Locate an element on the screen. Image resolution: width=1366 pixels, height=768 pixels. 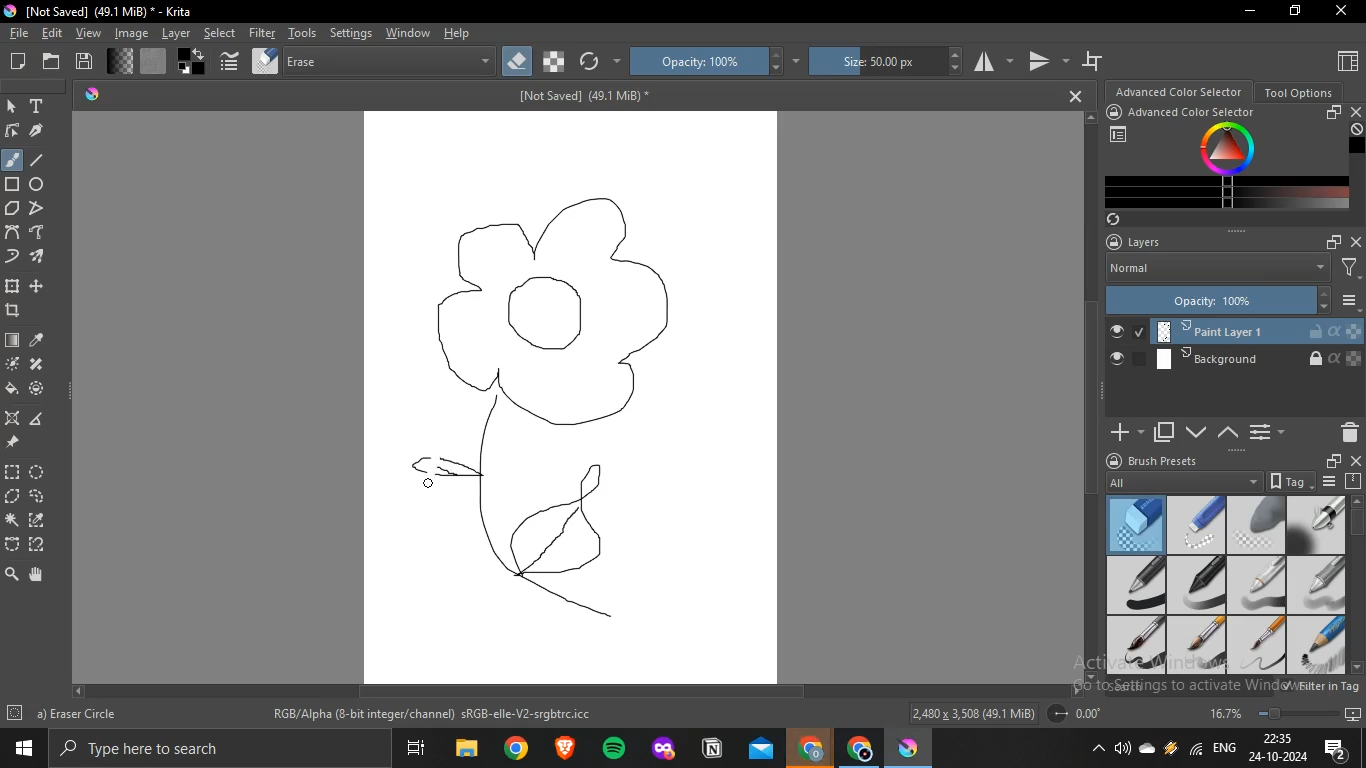
swap foreground and background colors is located at coordinates (193, 62).